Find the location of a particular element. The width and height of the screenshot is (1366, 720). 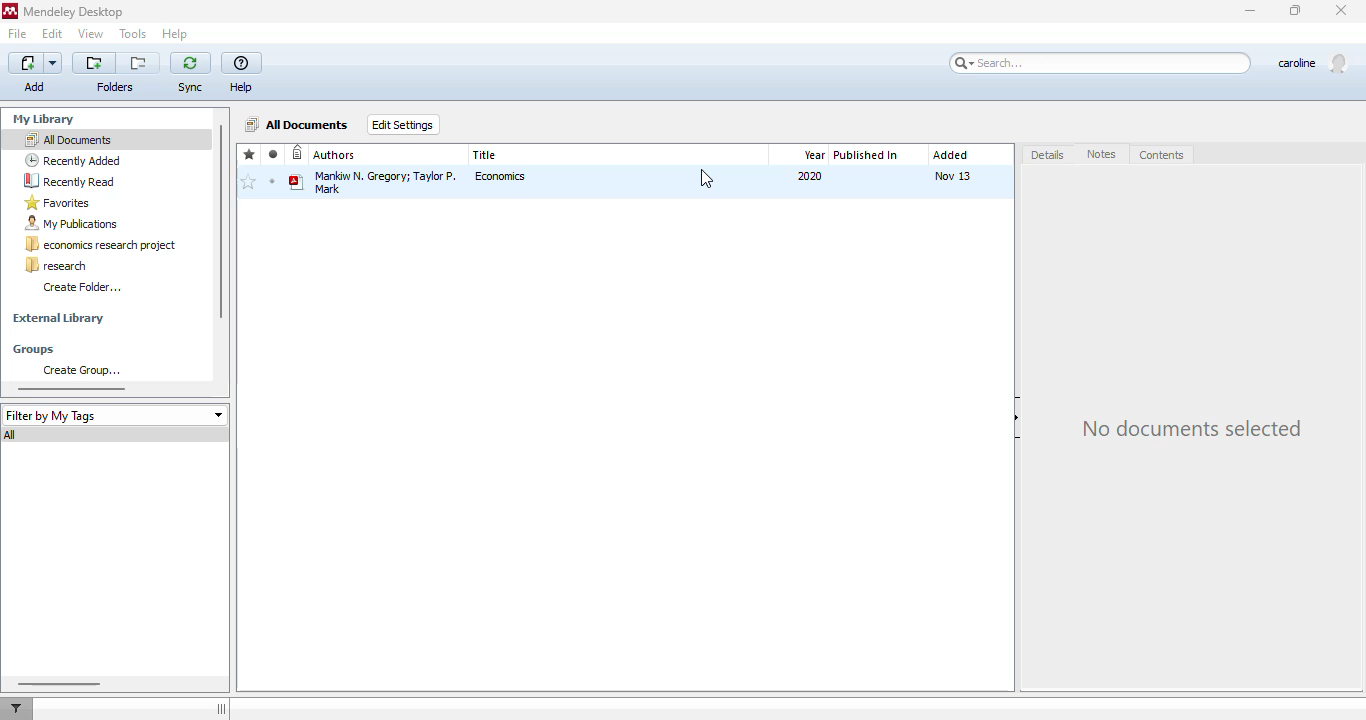

toggle sidebar is located at coordinates (223, 709).